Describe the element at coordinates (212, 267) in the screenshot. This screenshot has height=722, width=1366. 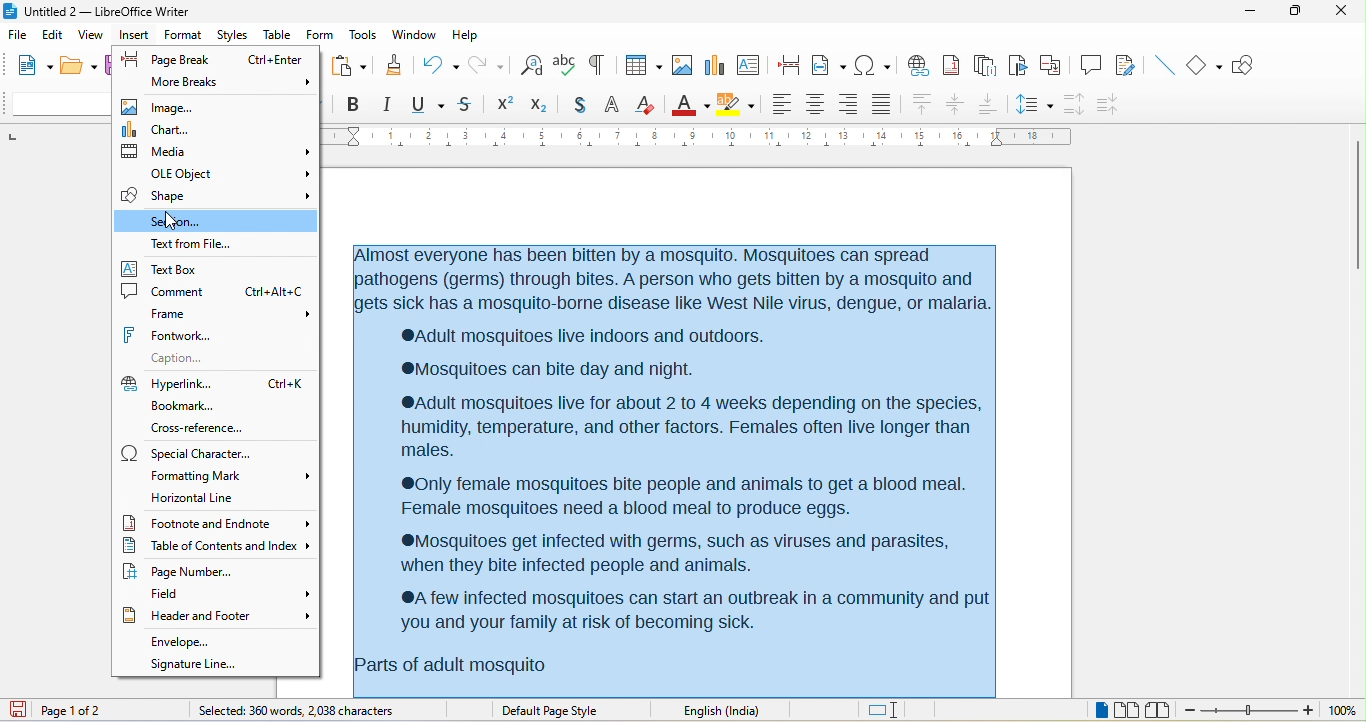
I see `text box` at that location.